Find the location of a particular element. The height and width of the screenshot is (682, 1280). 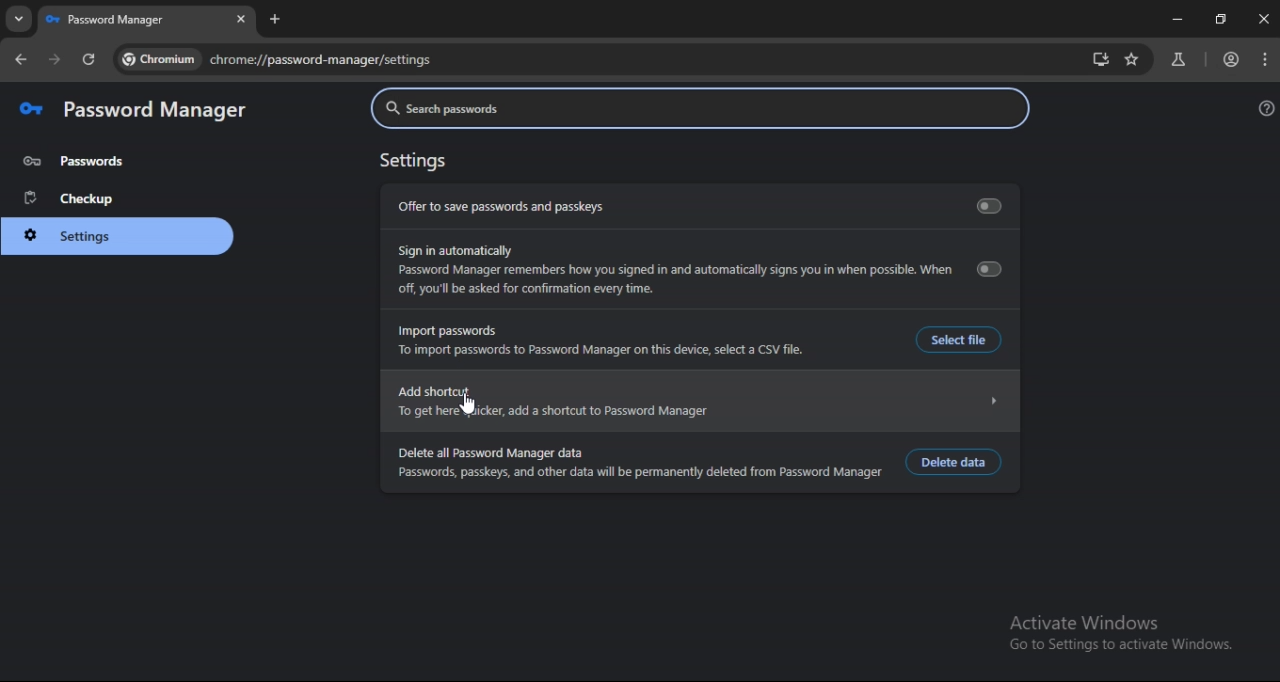

close tab is located at coordinates (242, 19).